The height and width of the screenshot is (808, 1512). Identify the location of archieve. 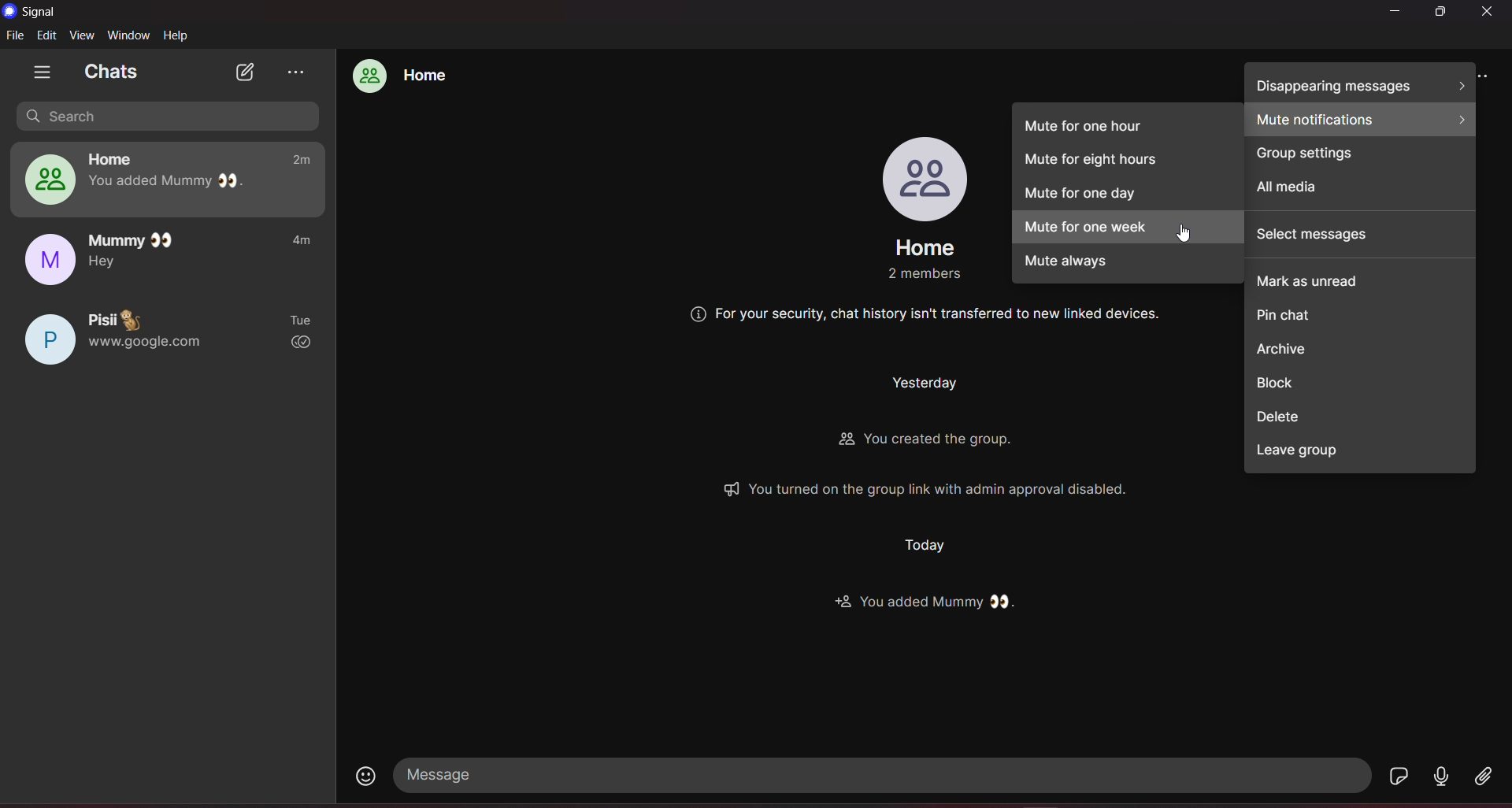
(1358, 350).